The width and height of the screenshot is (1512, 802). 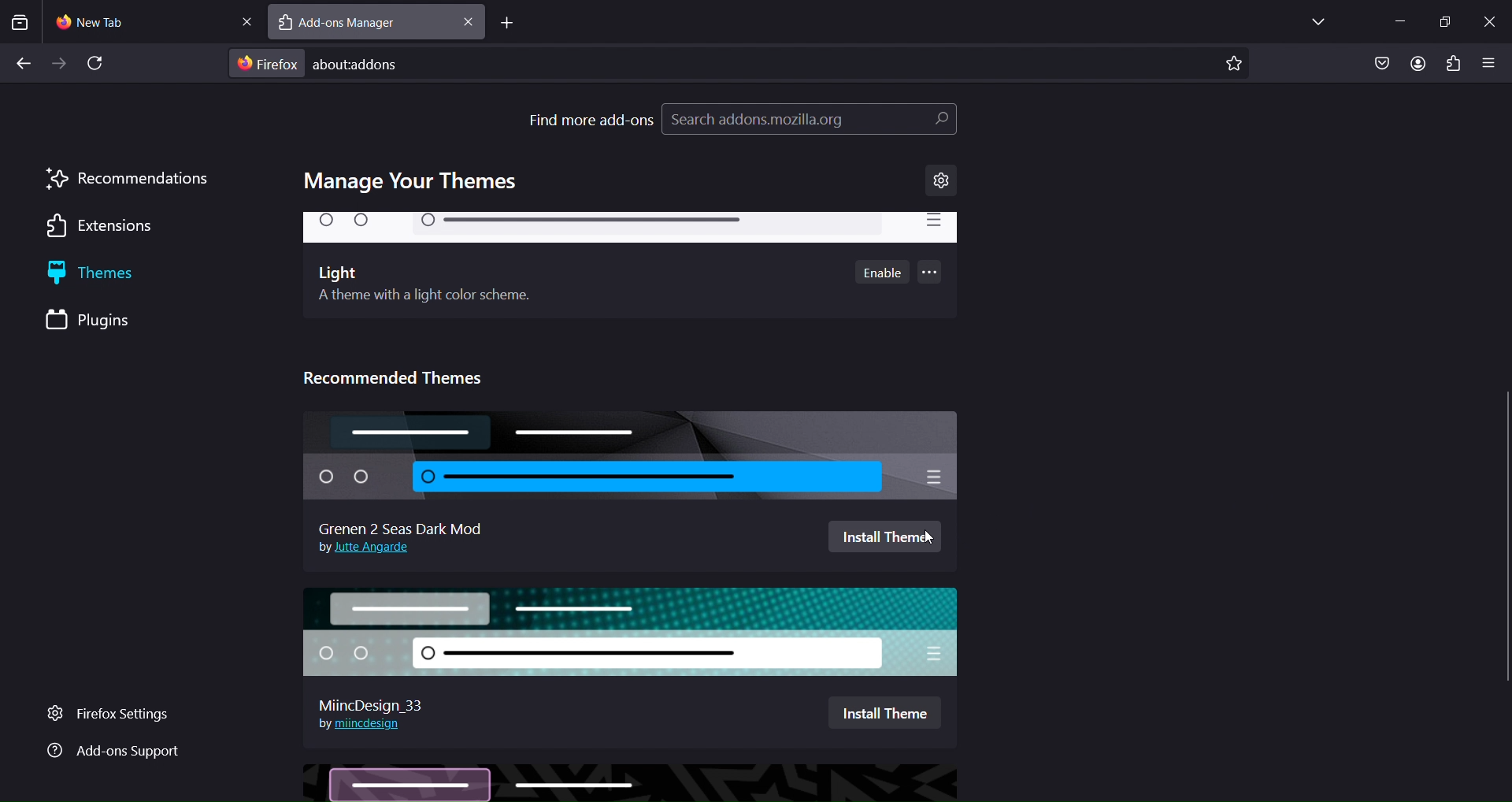 What do you see at coordinates (630, 782) in the screenshot?
I see `image` at bounding box center [630, 782].